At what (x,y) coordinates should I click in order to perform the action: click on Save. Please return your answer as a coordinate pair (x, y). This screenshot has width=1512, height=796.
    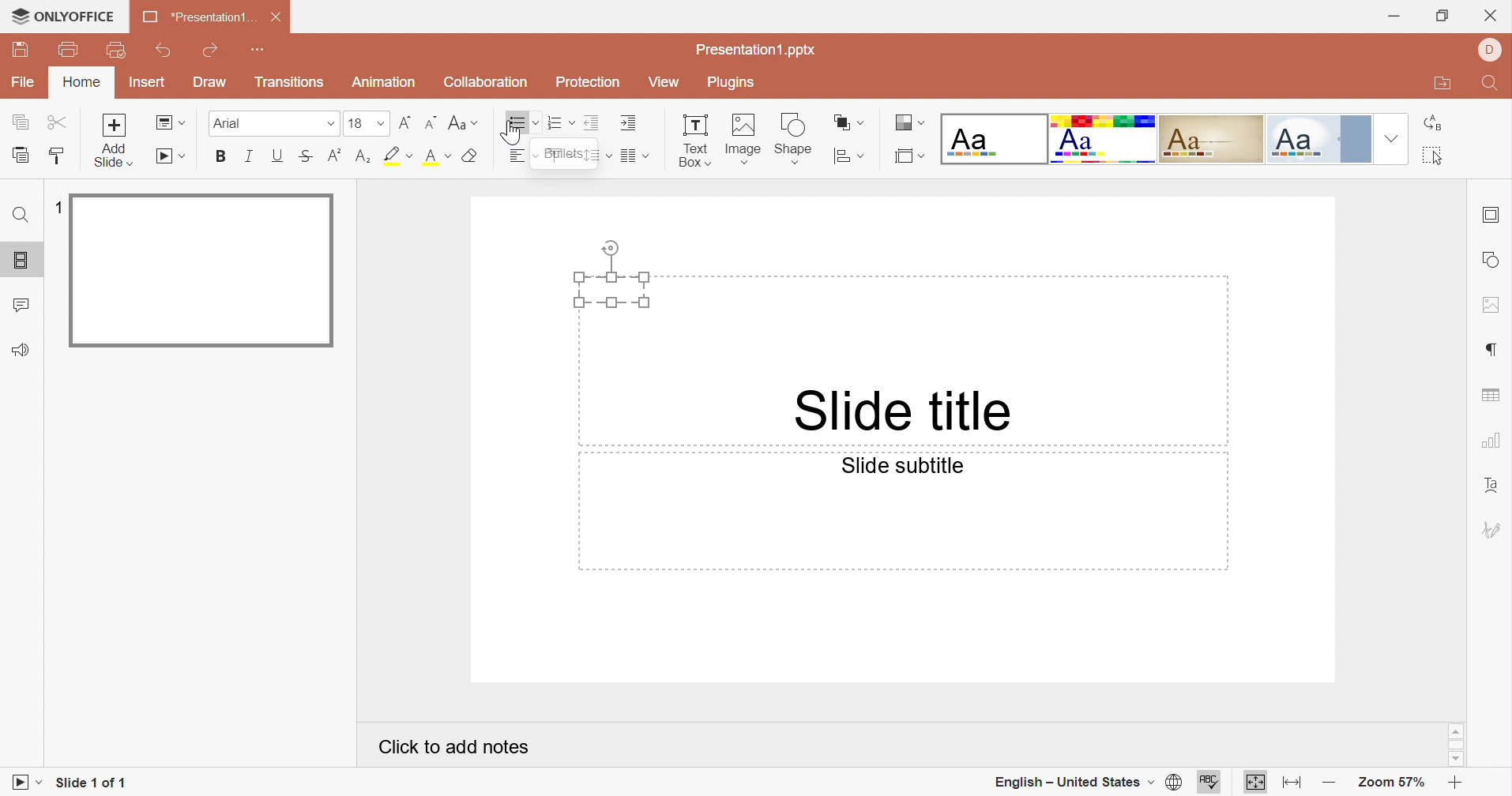
    Looking at the image, I should click on (23, 48).